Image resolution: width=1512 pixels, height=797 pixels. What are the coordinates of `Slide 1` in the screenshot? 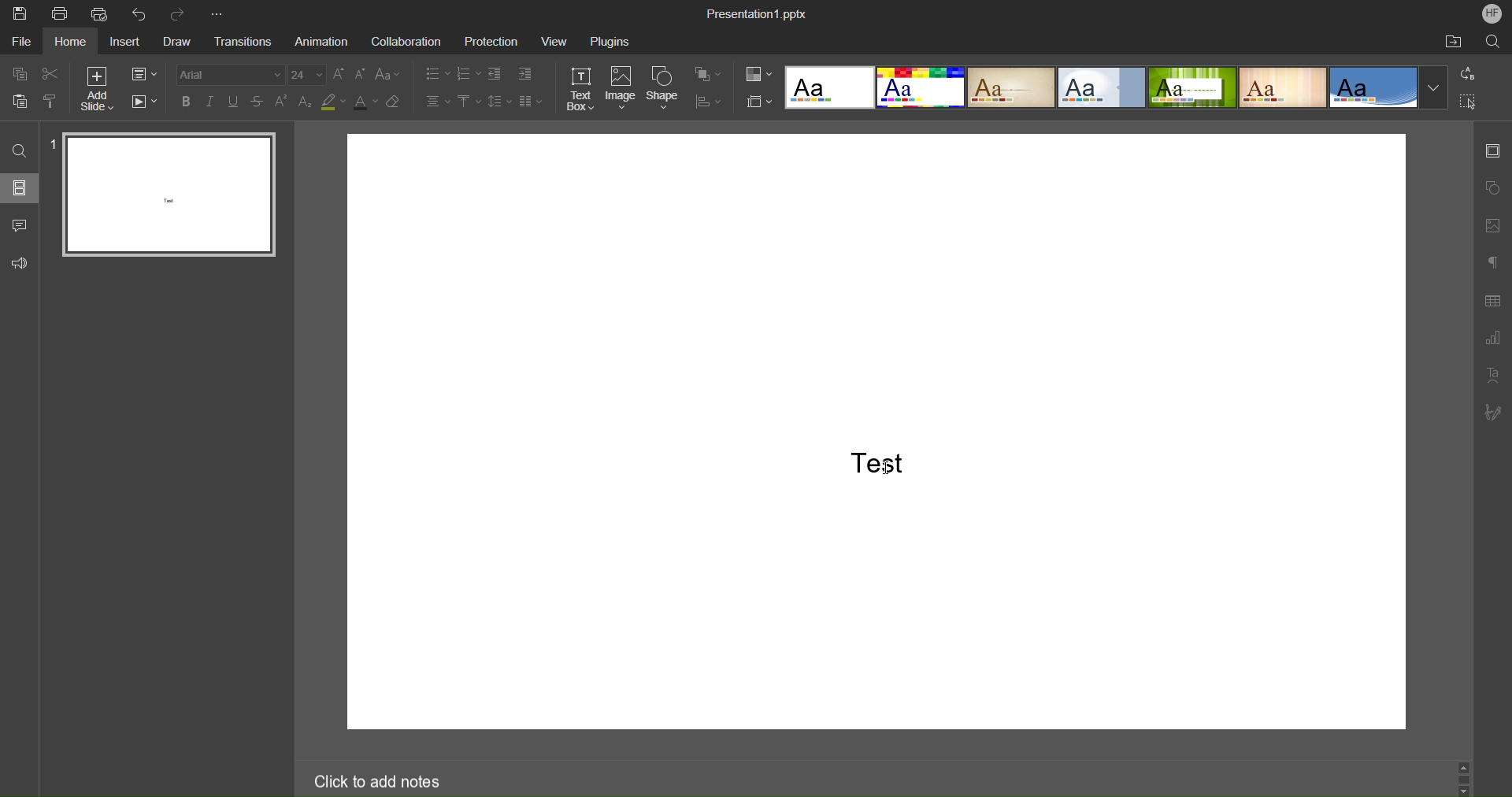 It's located at (165, 194).